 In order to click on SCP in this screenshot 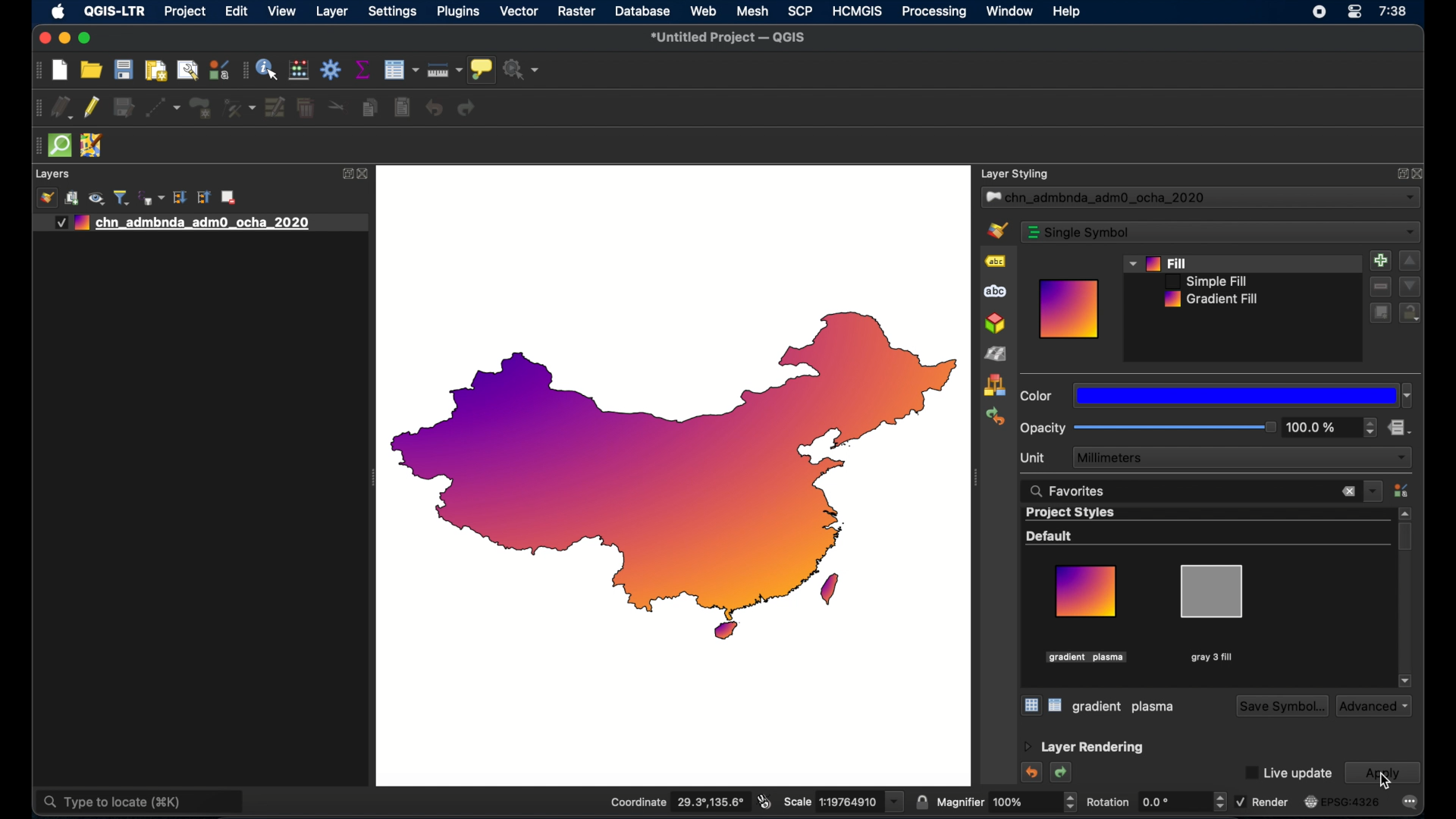, I will do `click(801, 11)`.